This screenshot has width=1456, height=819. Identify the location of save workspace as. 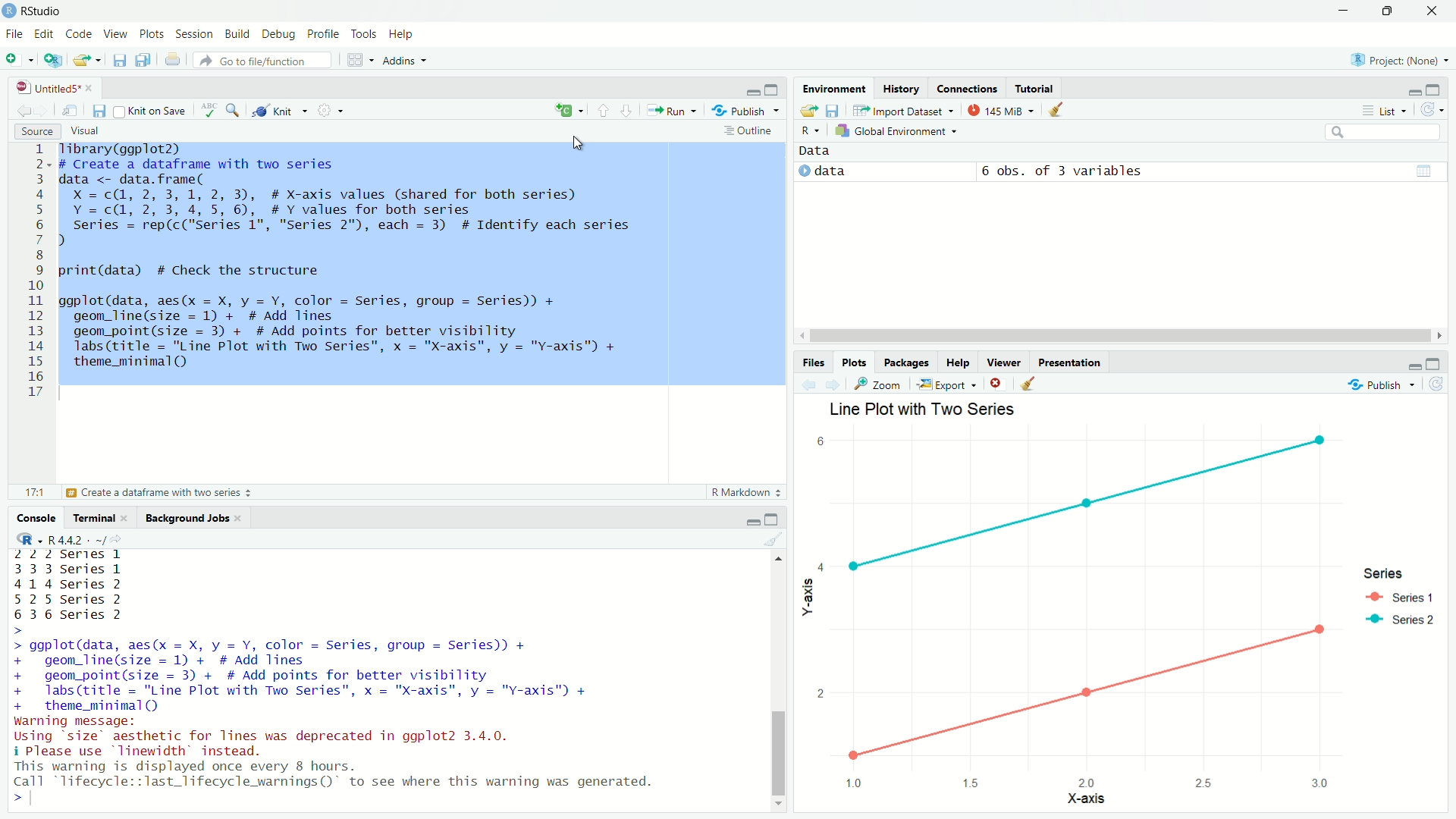
(833, 111).